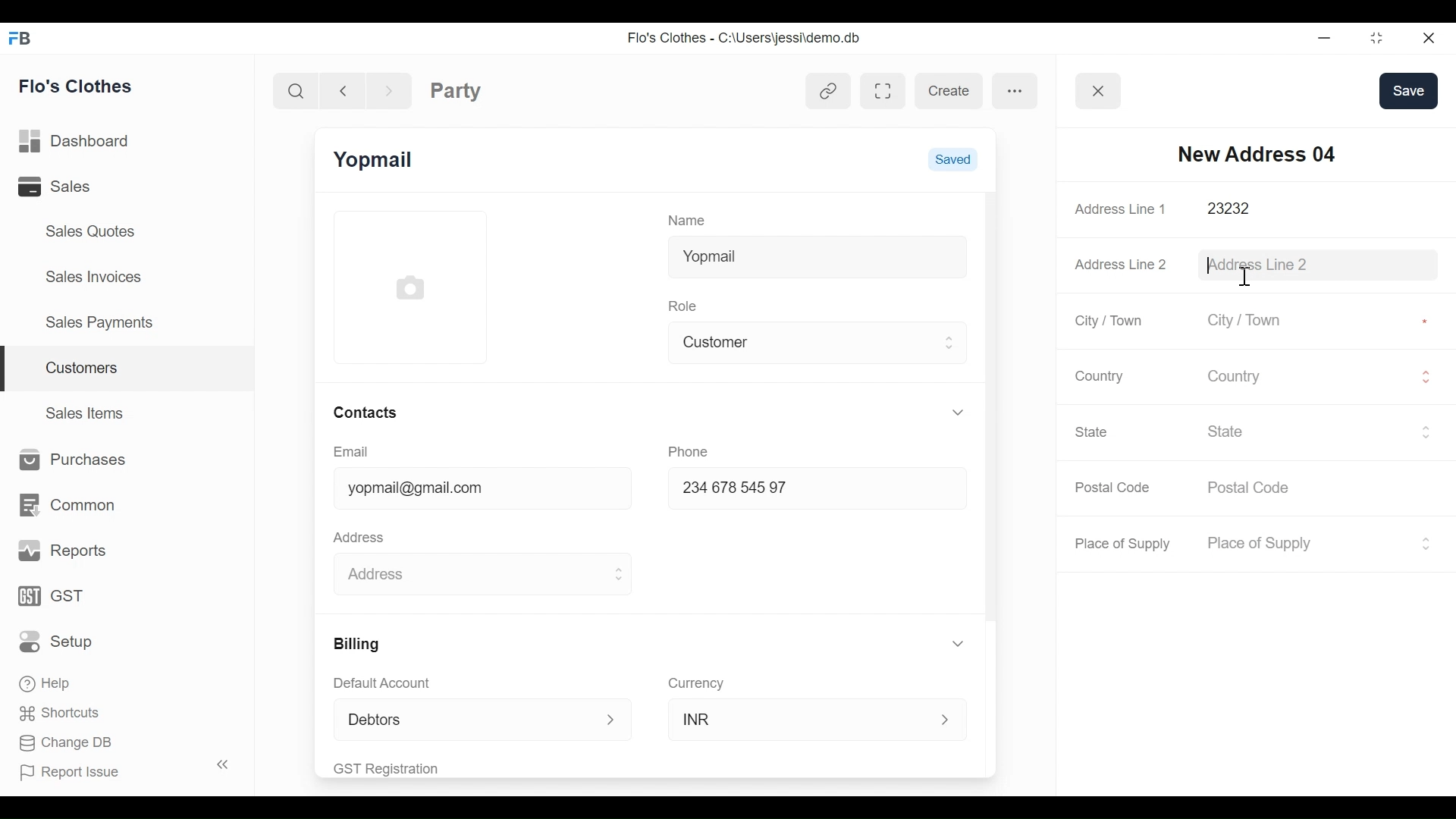 Image resolution: width=1456 pixels, height=819 pixels. Describe the element at coordinates (1265, 322) in the screenshot. I see `City / Town` at that location.